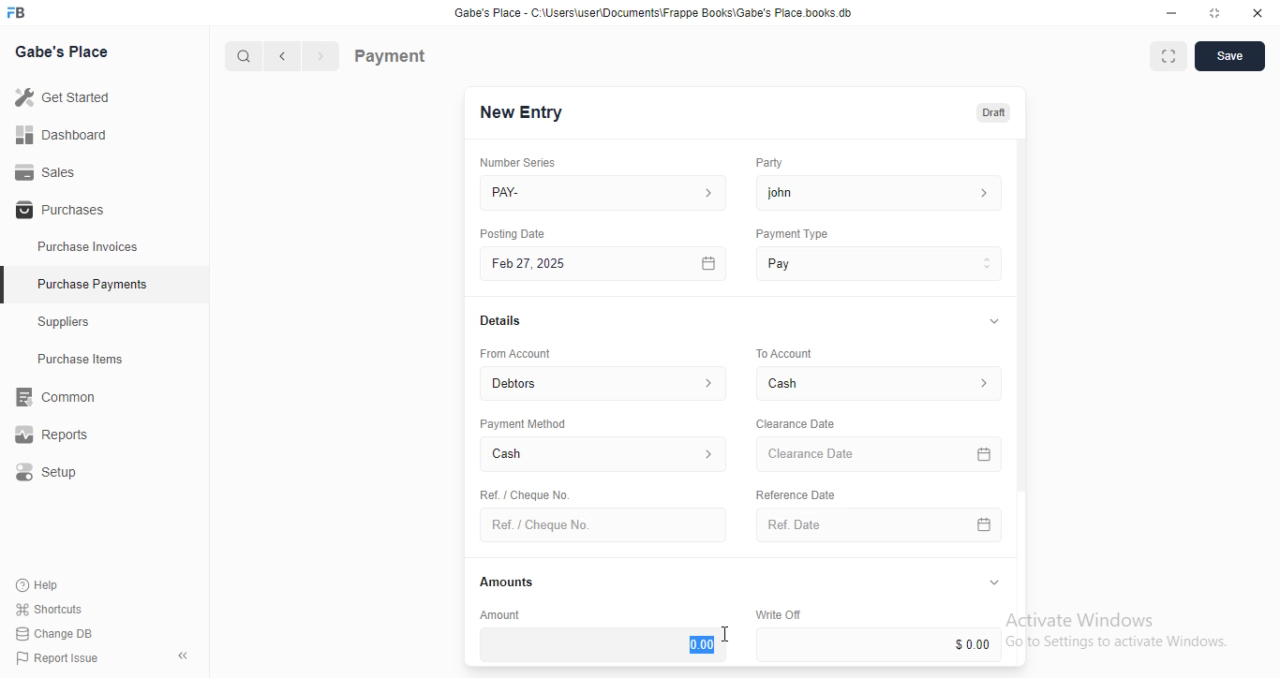  I want to click on Payment, so click(391, 55).